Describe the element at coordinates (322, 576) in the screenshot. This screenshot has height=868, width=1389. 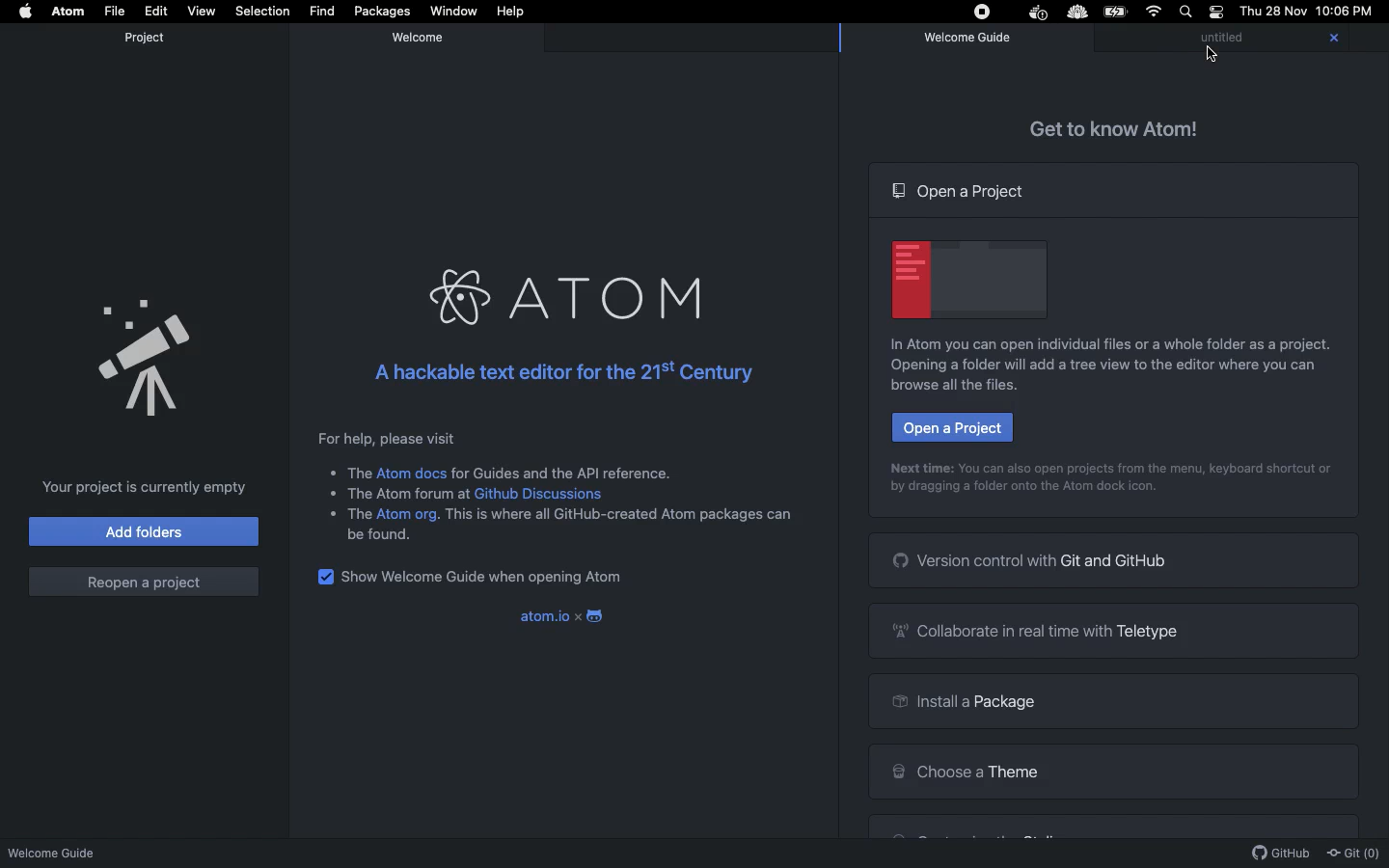
I see `checkbox` at that location.